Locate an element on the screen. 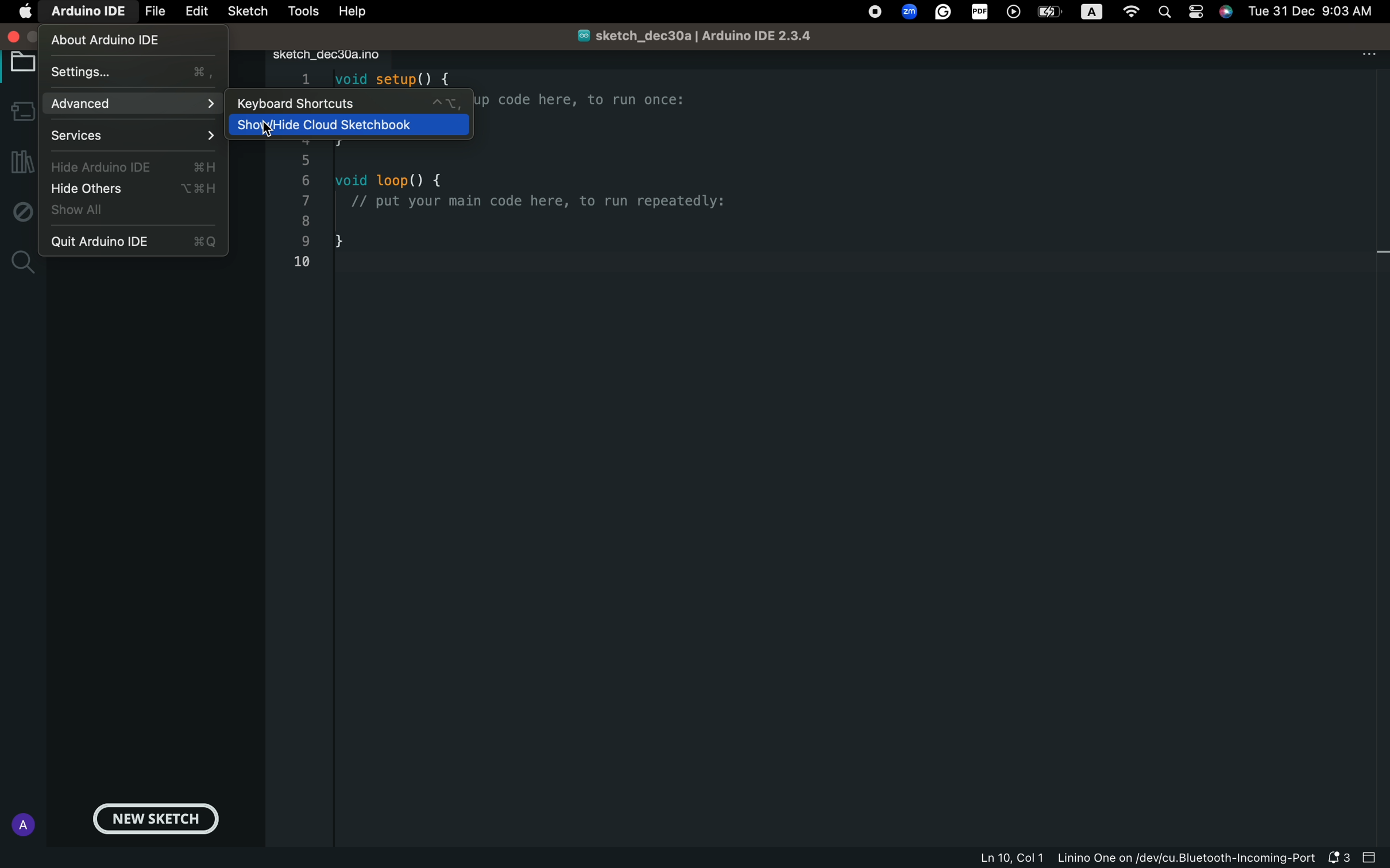 This screenshot has width=1390, height=868. debug is located at coordinates (20, 211).